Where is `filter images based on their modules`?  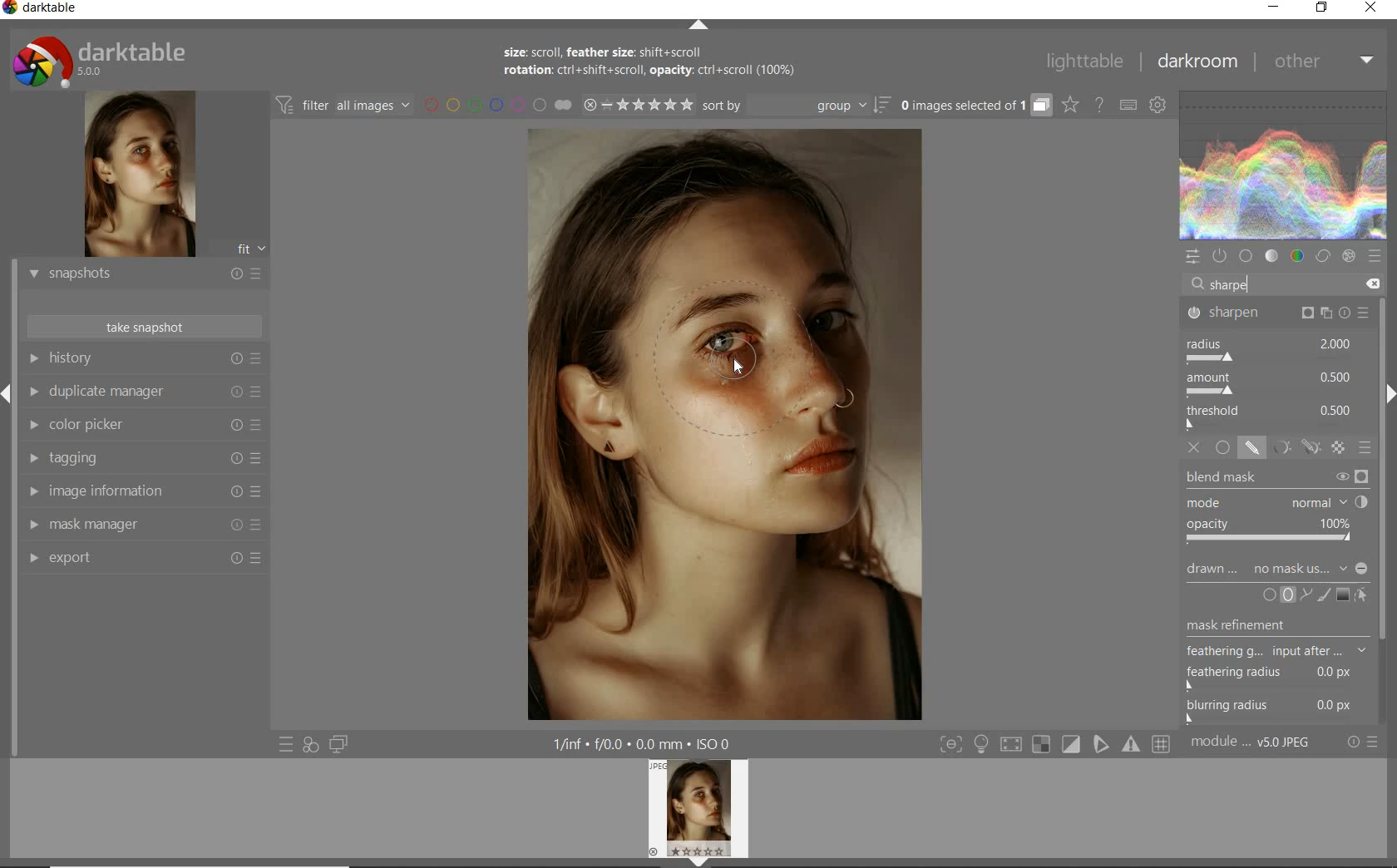 filter images based on their modules is located at coordinates (341, 104).